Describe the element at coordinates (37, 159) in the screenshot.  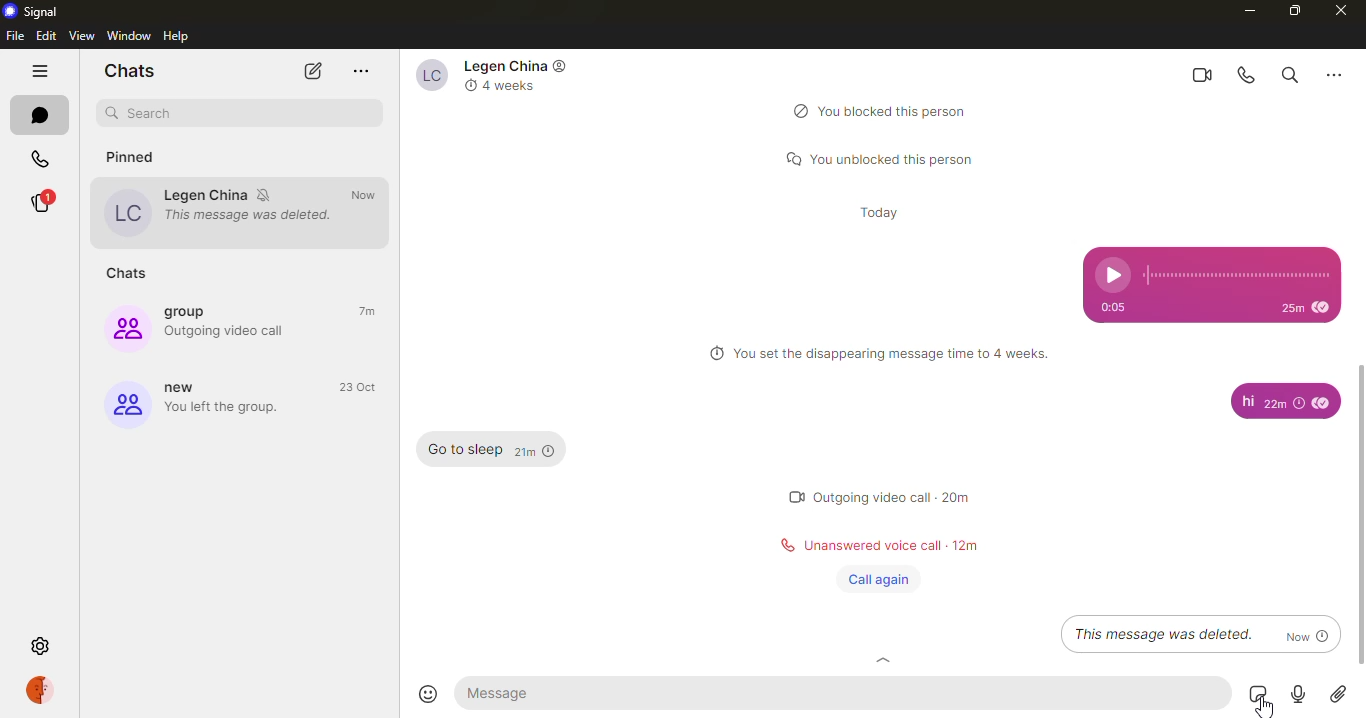
I see `calls` at that location.